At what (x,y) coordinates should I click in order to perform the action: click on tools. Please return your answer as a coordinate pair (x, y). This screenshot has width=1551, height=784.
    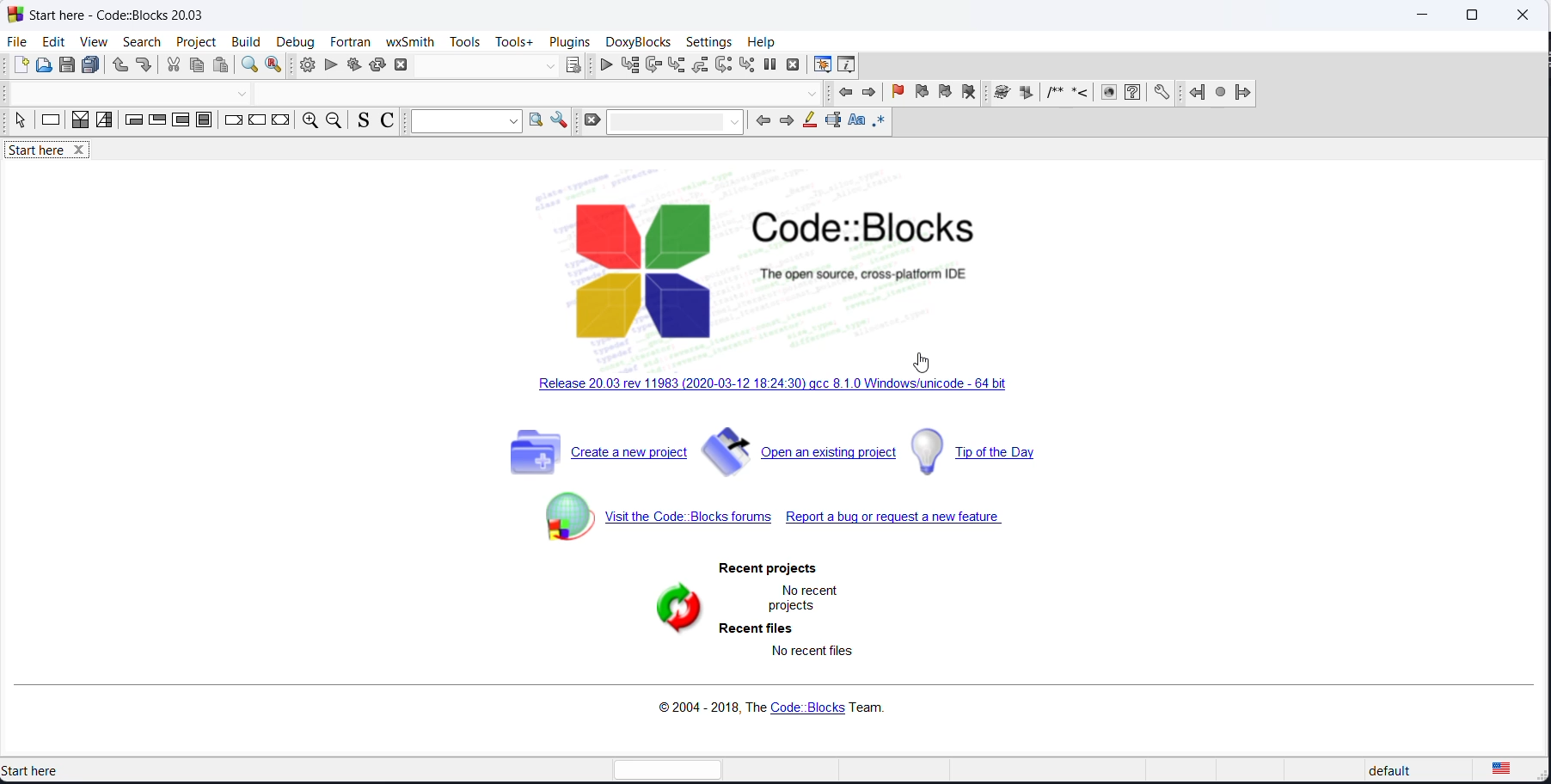
    Looking at the image, I should click on (465, 41).